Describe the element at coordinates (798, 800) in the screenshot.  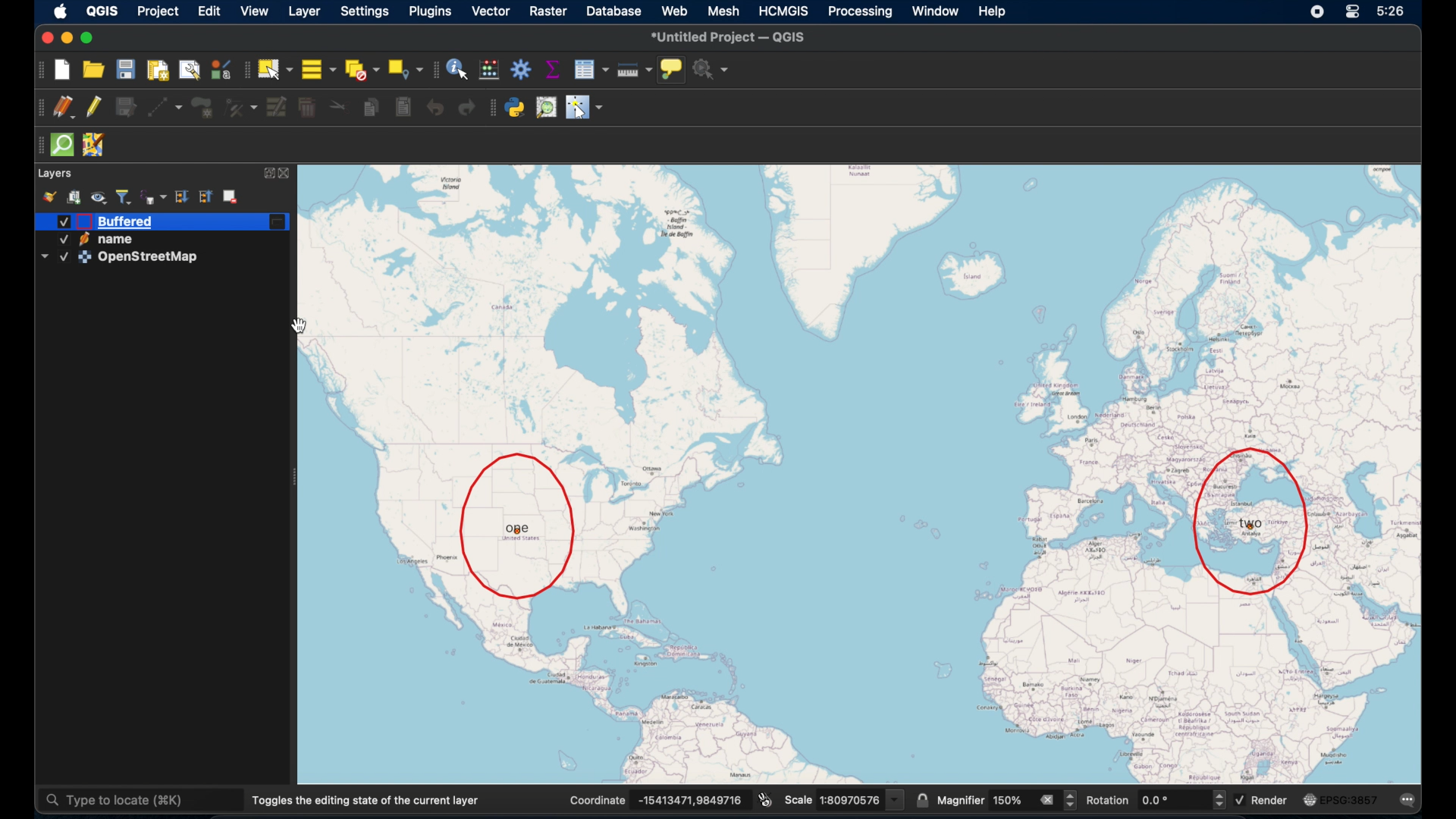
I see `scale` at that location.